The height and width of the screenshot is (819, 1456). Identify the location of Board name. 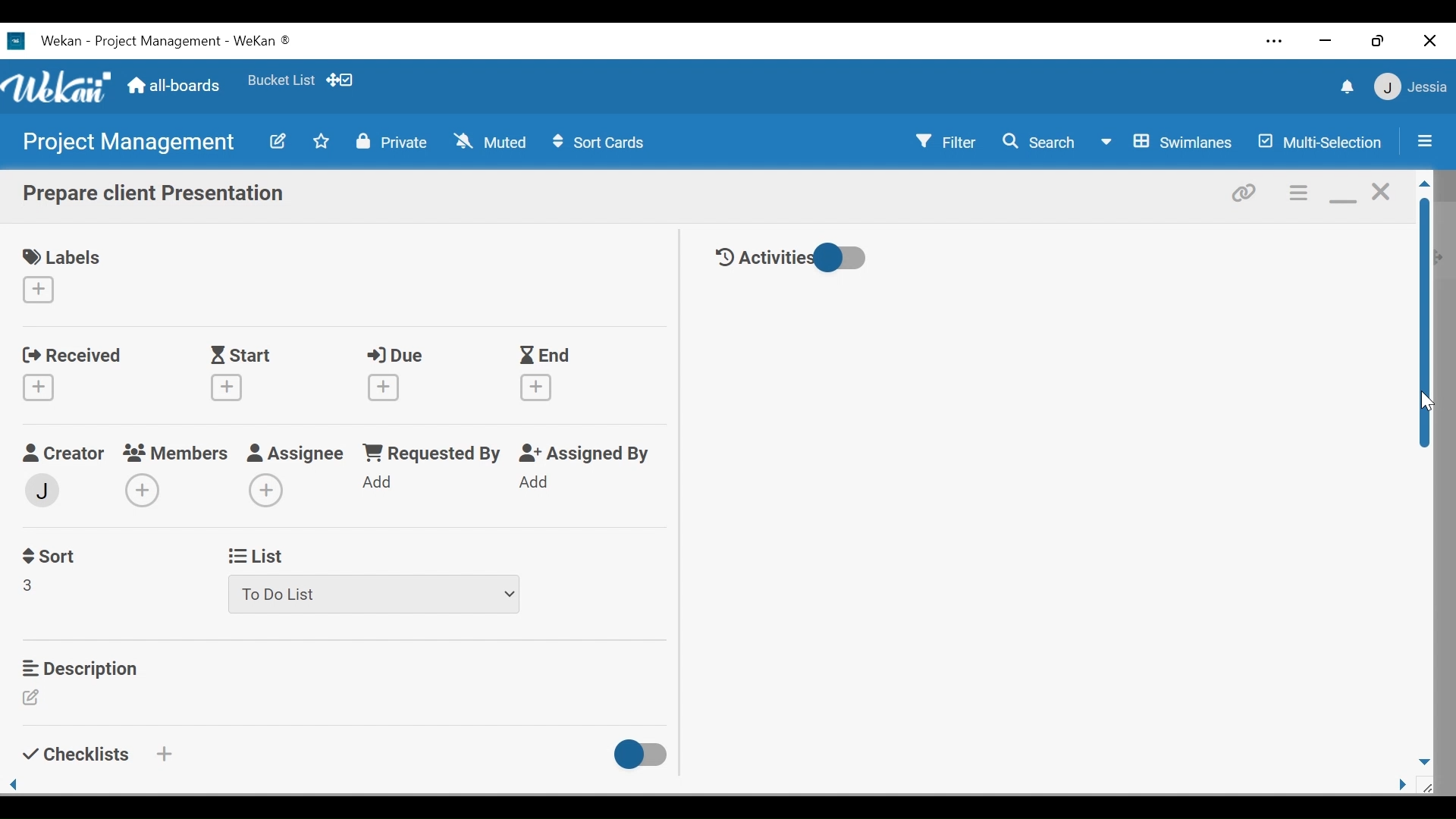
(127, 141).